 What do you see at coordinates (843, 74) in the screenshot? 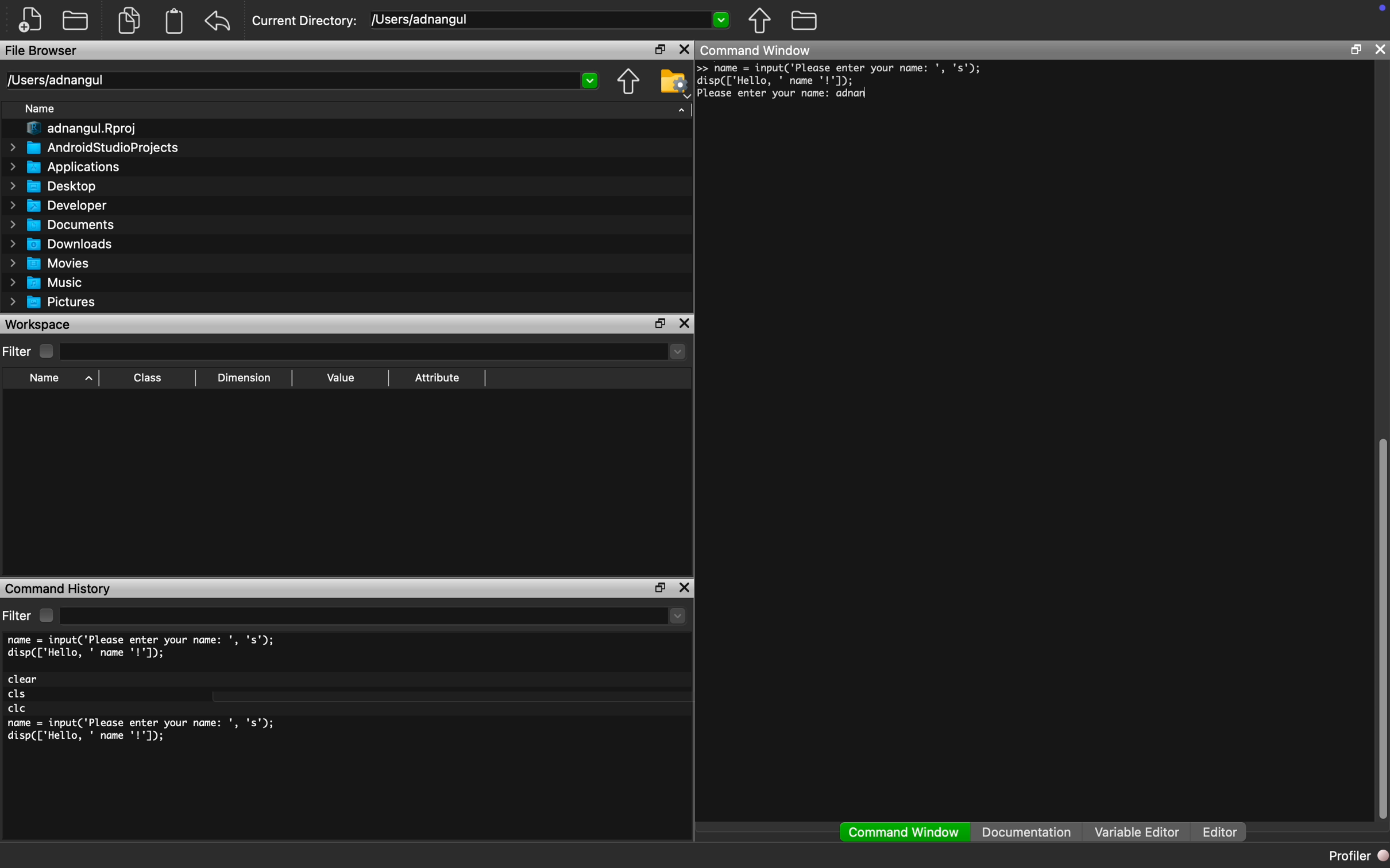
I see `yao = input('Please enter your name: ', ipl
en ([lHello. "name '!'1):` at bounding box center [843, 74].